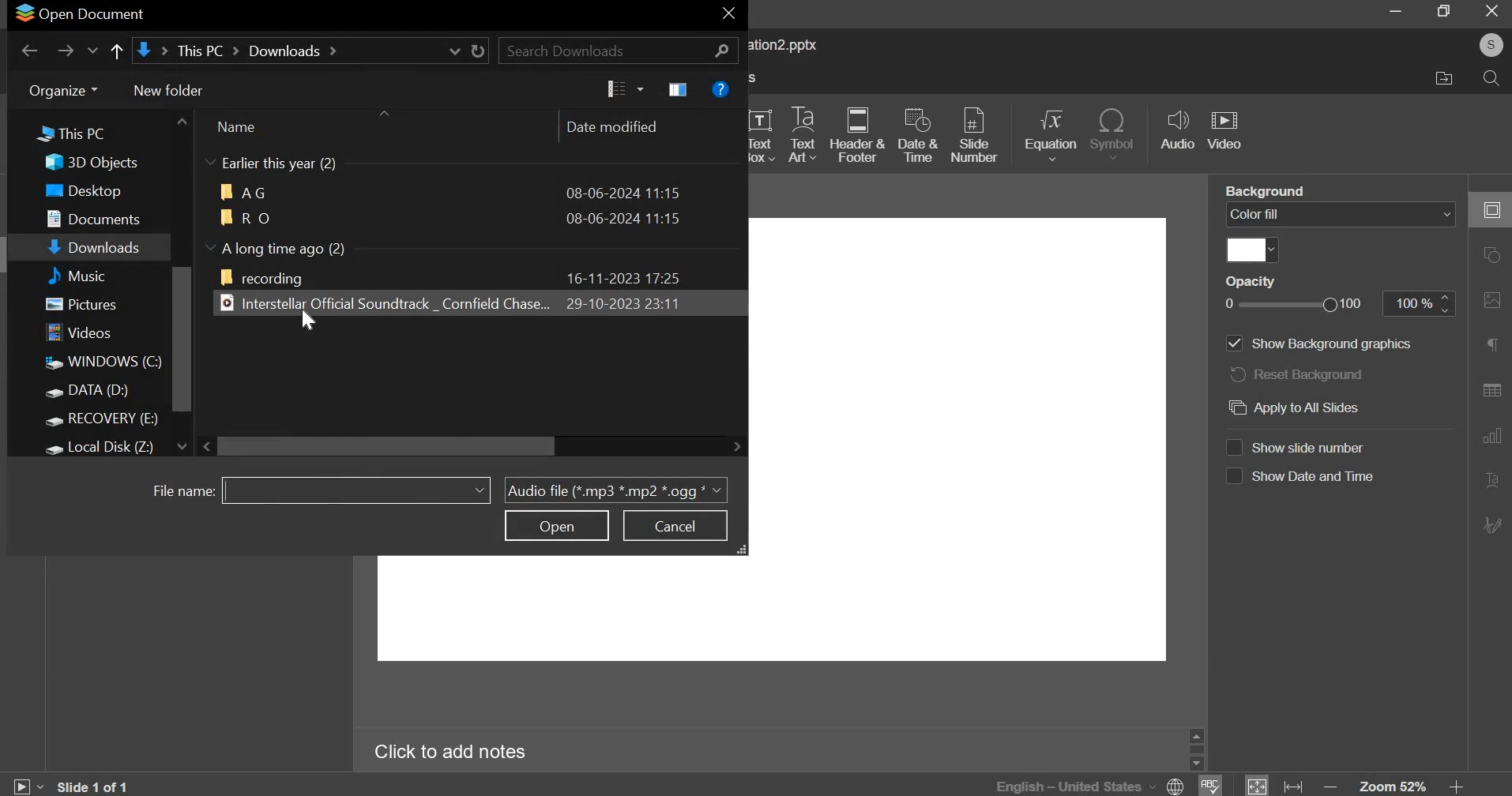  Describe the element at coordinates (88, 130) in the screenshot. I see `This PC` at that location.